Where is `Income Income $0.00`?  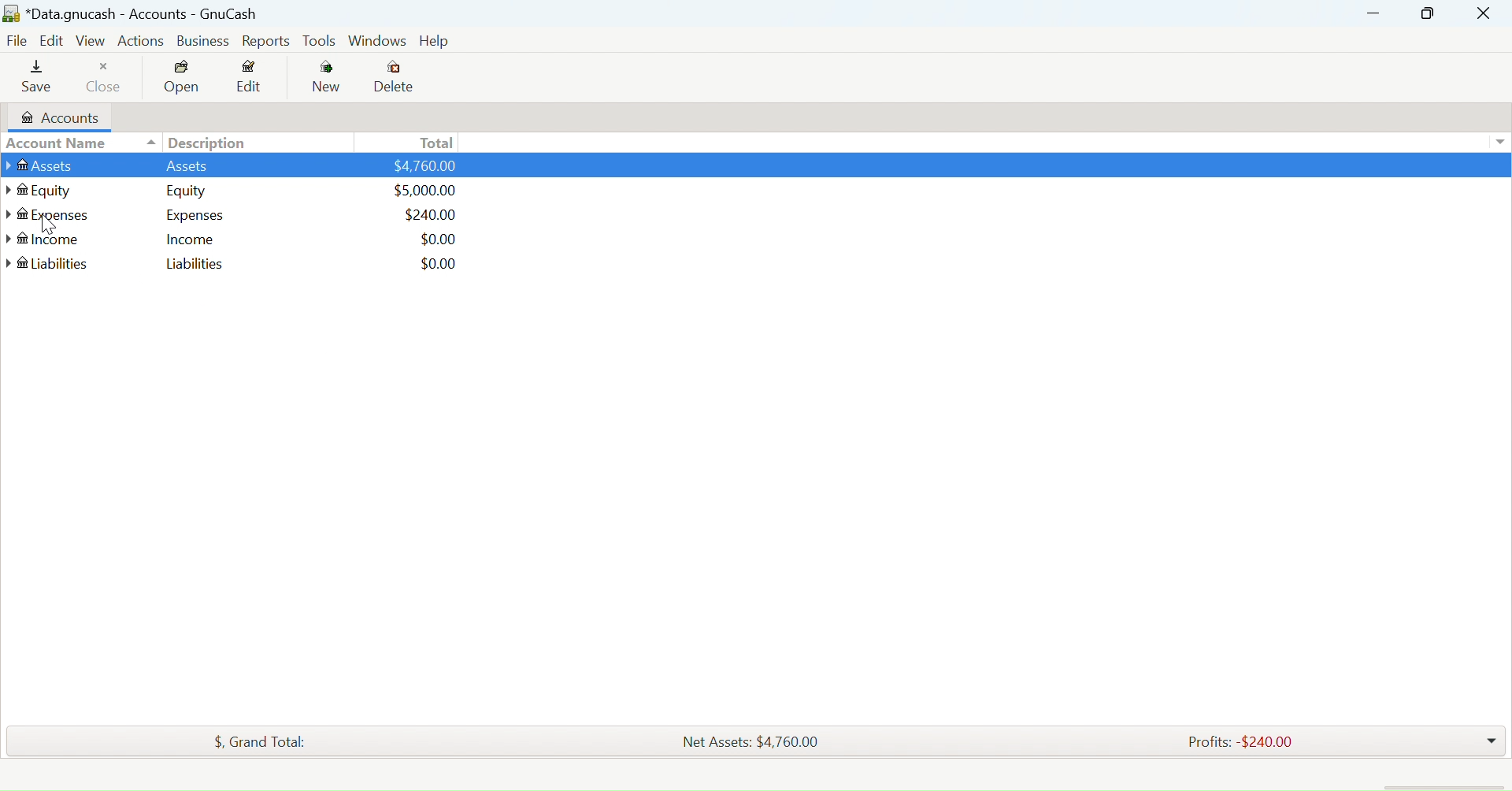
Income Income $0.00 is located at coordinates (244, 241).